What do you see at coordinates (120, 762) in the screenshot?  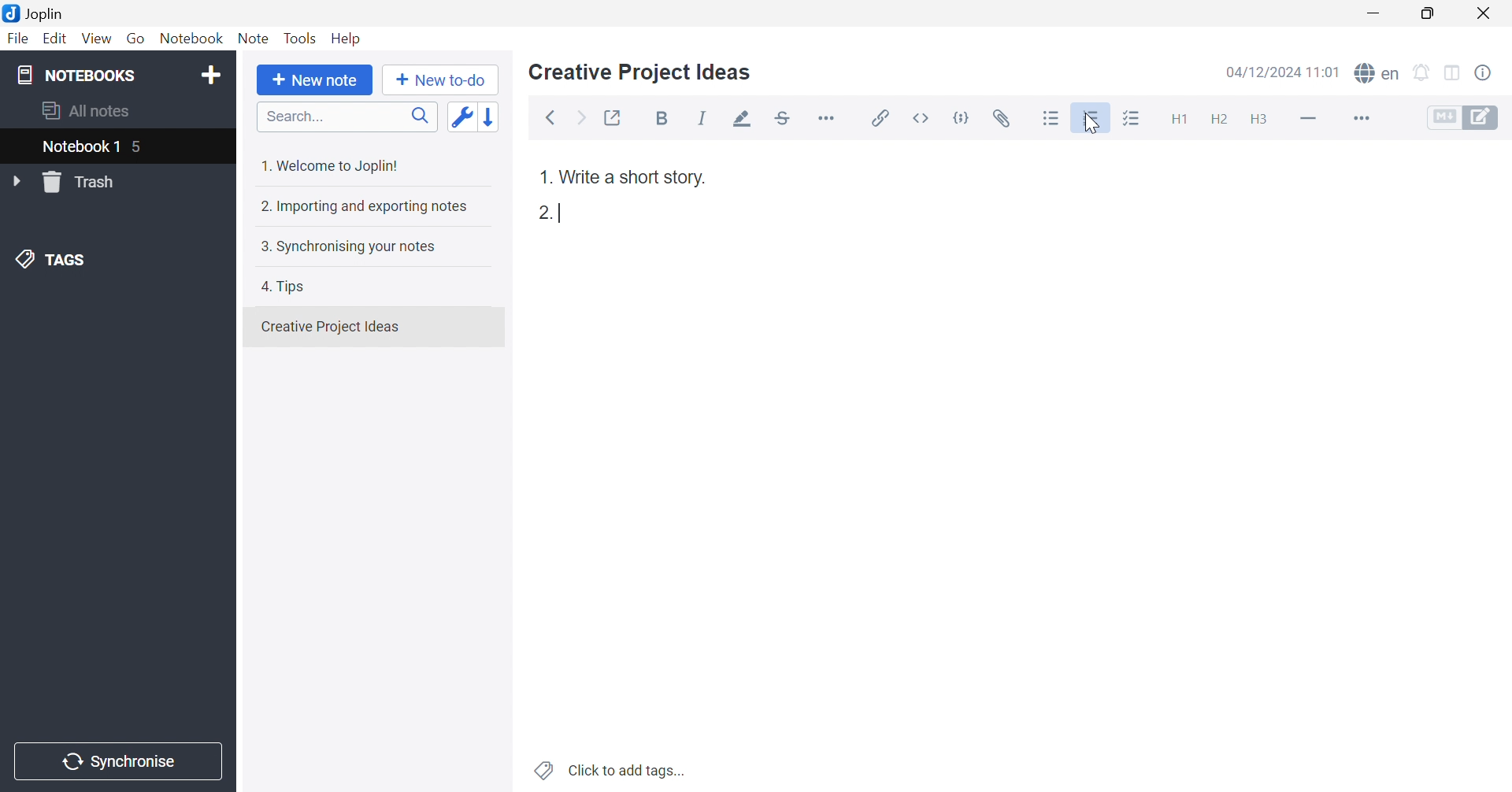 I see `Synchronise` at bounding box center [120, 762].